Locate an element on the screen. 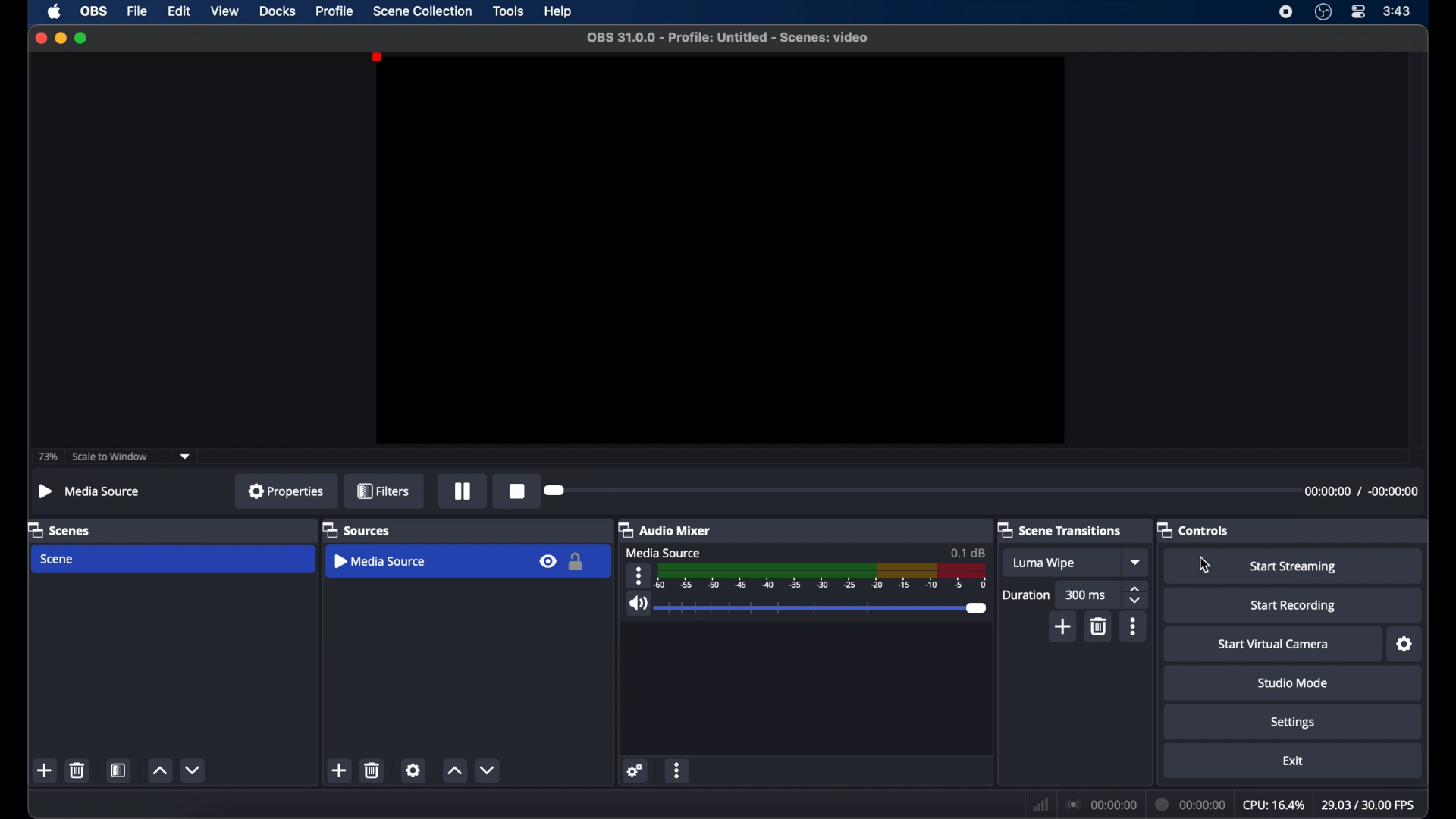 The width and height of the screenshot is (1456, 819). lock icon is located at coordinates (576, 562).